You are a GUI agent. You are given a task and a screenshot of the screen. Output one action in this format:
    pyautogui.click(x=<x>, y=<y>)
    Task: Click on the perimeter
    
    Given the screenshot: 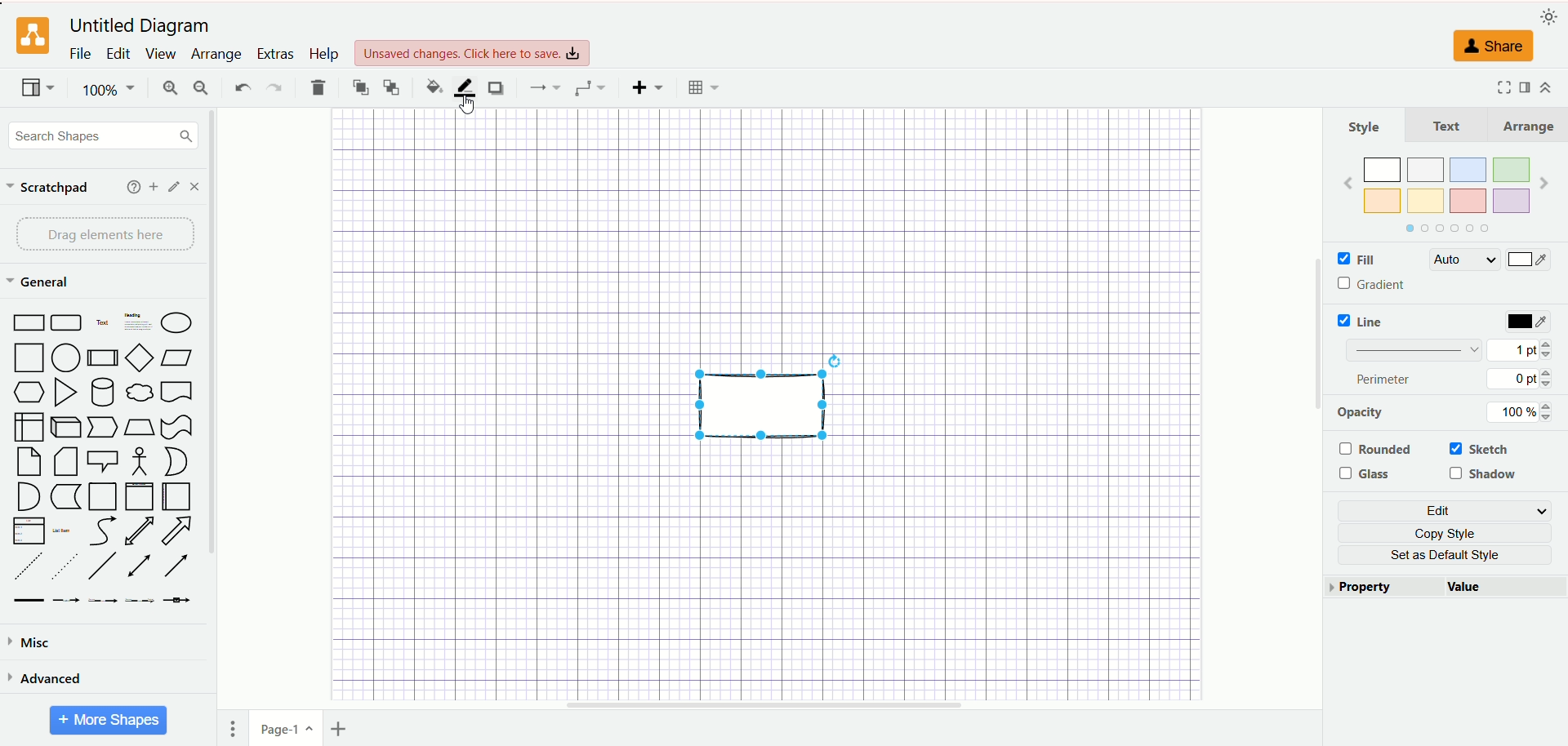 What is the action you would take?
    pyautogui.click(x=1385, y=380)
    